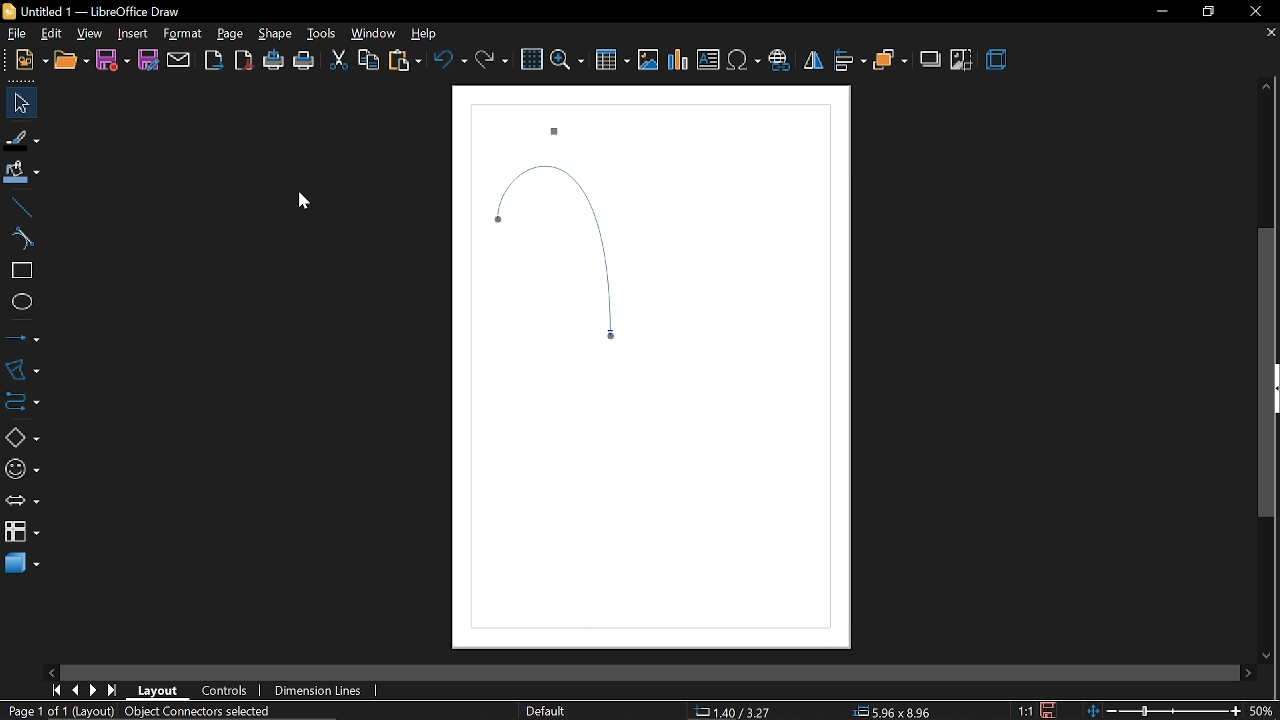 The height and width of the screenshot is (720, 1280). What do you see at coordinates (404, 61) in the screenshot?
I see `paste` at bounding box center [404, 61].